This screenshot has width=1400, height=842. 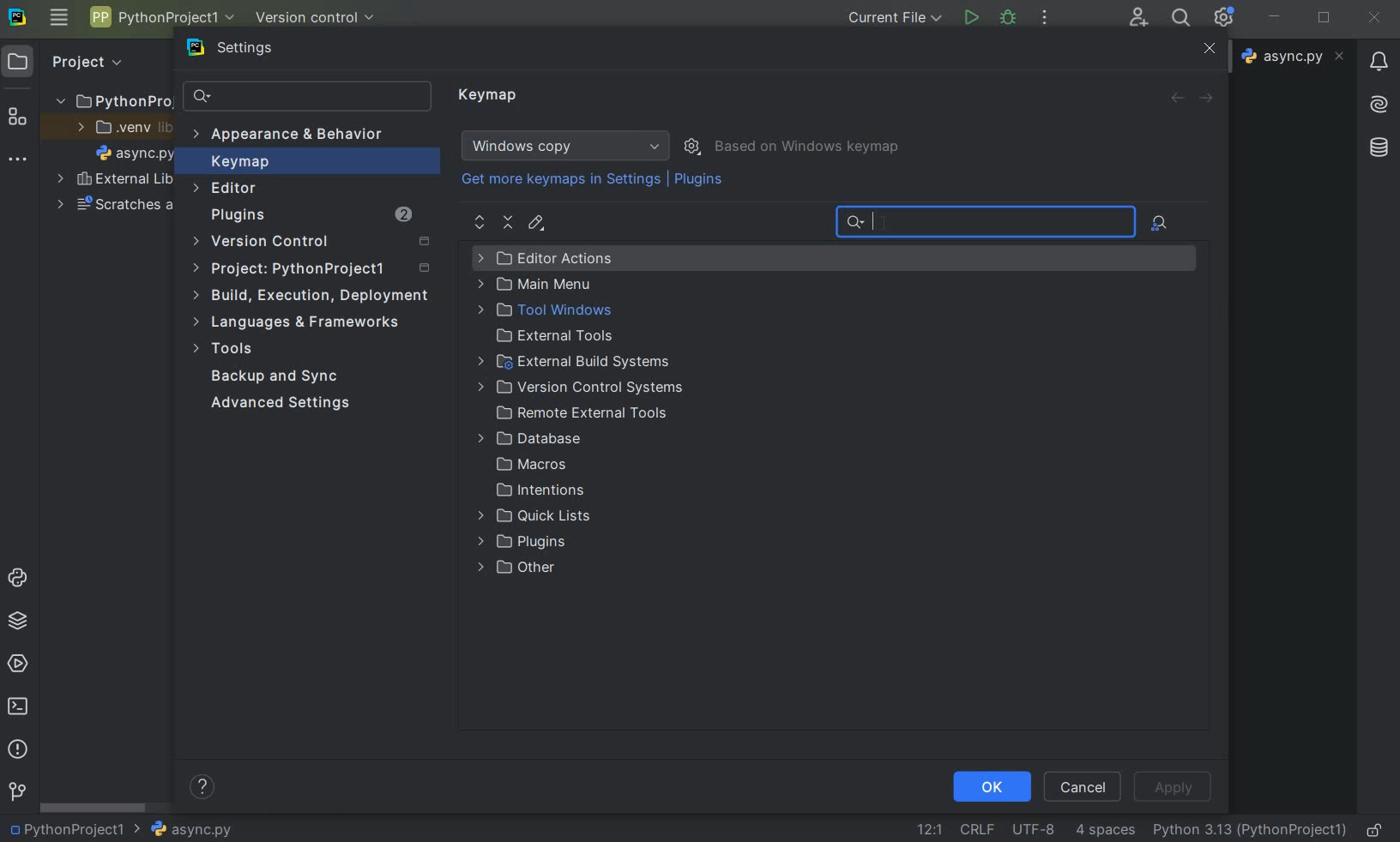 I want to click on tool windows, so click(x=542, y=310).